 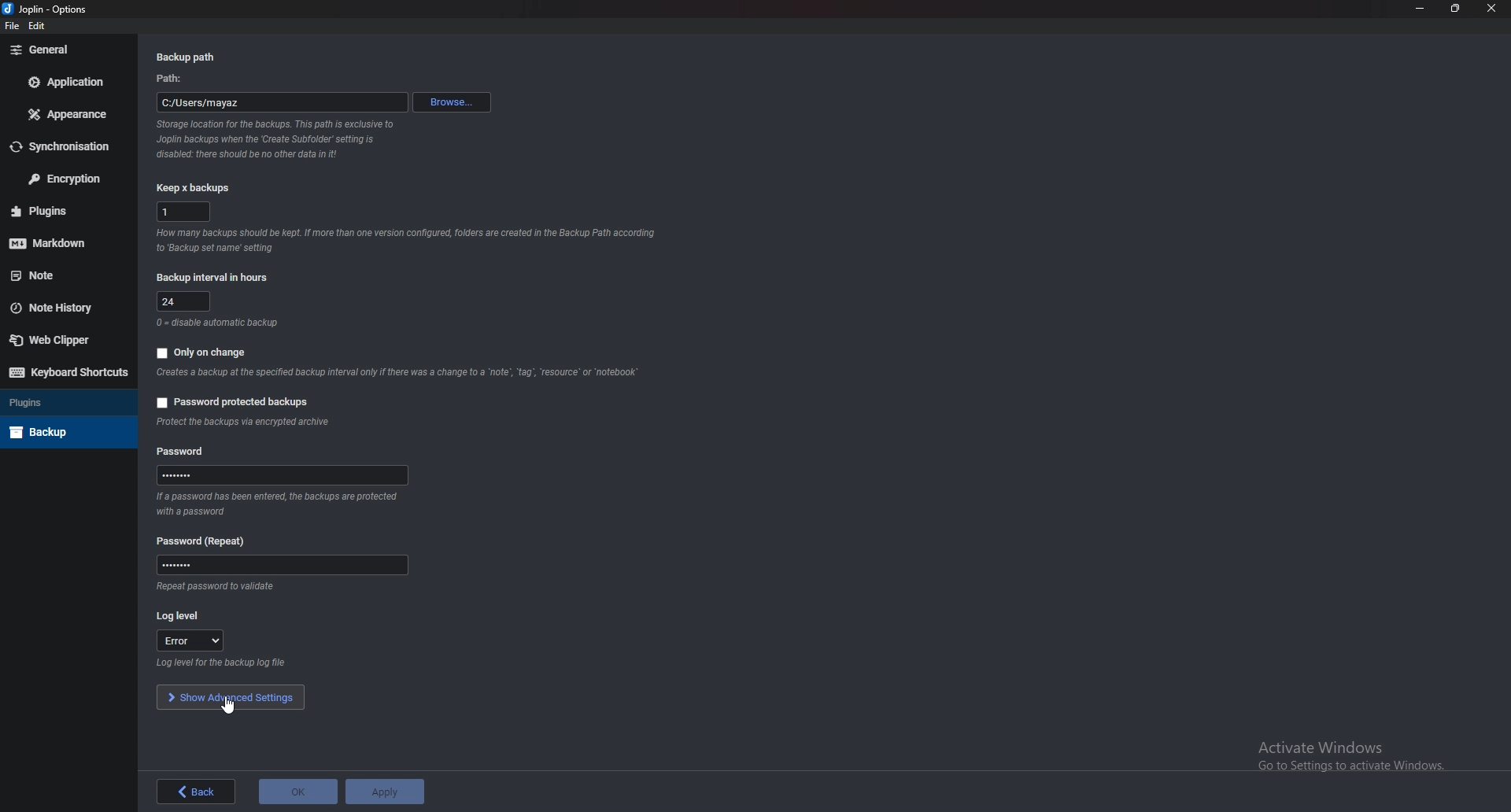 What do you see at coordinates (385, 792) in the screenshot?
I see `Apply` at bounding box center [385, 792].